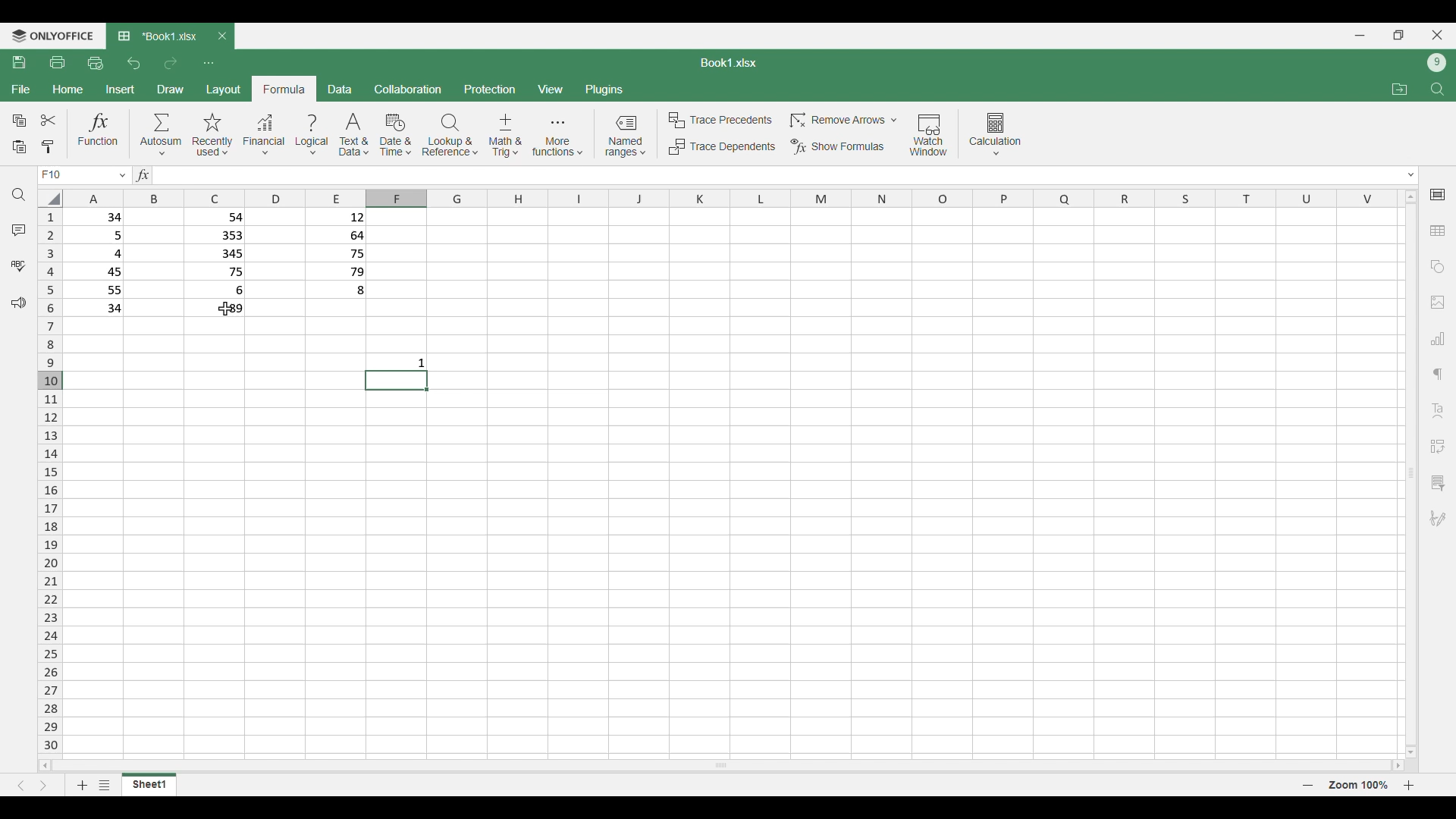 This screenshot has height=819, width=1456. I want to click on Insert chart, so click(1438, 338).